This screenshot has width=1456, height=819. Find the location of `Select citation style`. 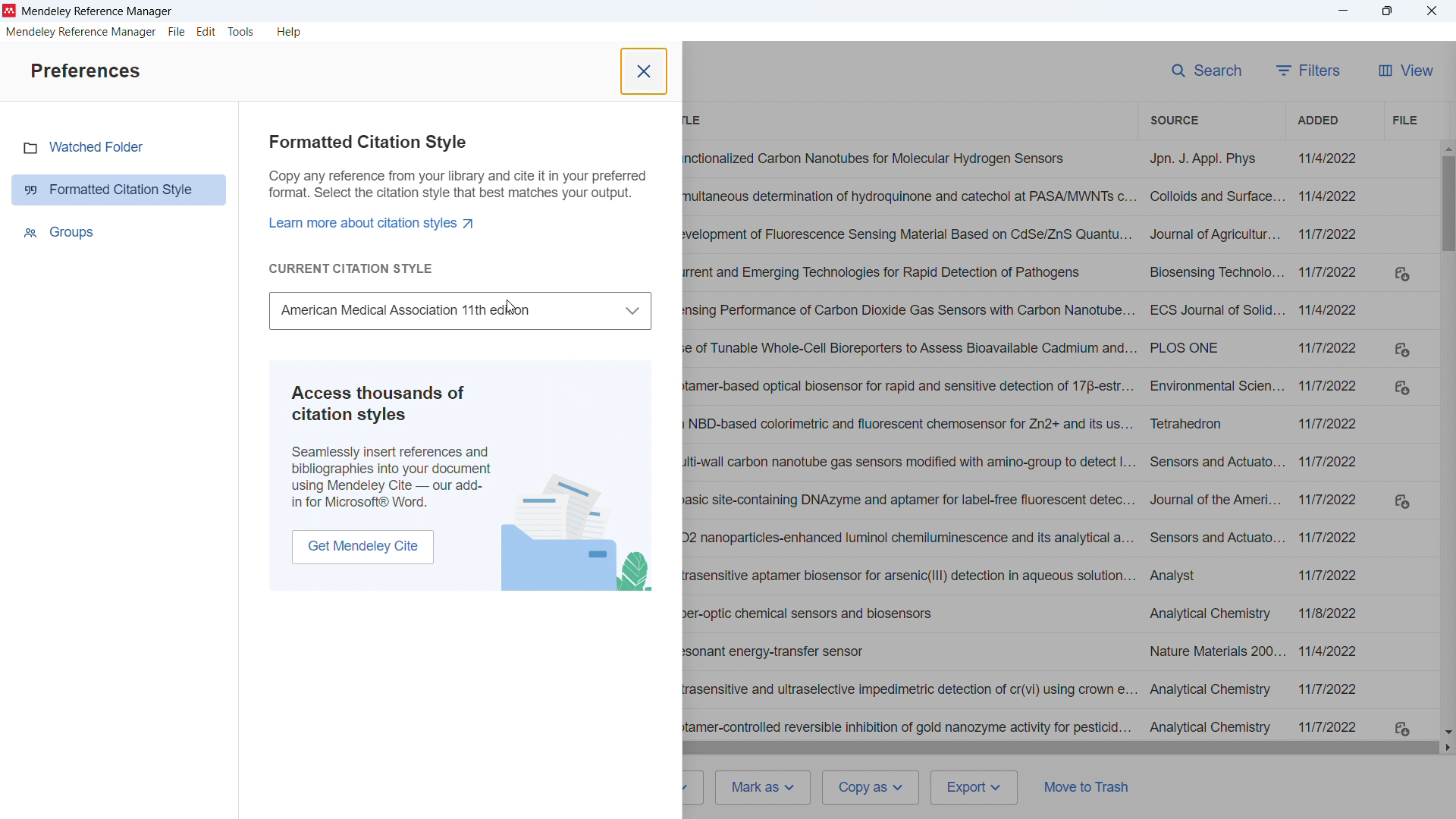

Select citation style is located at coordinates (459, 312).